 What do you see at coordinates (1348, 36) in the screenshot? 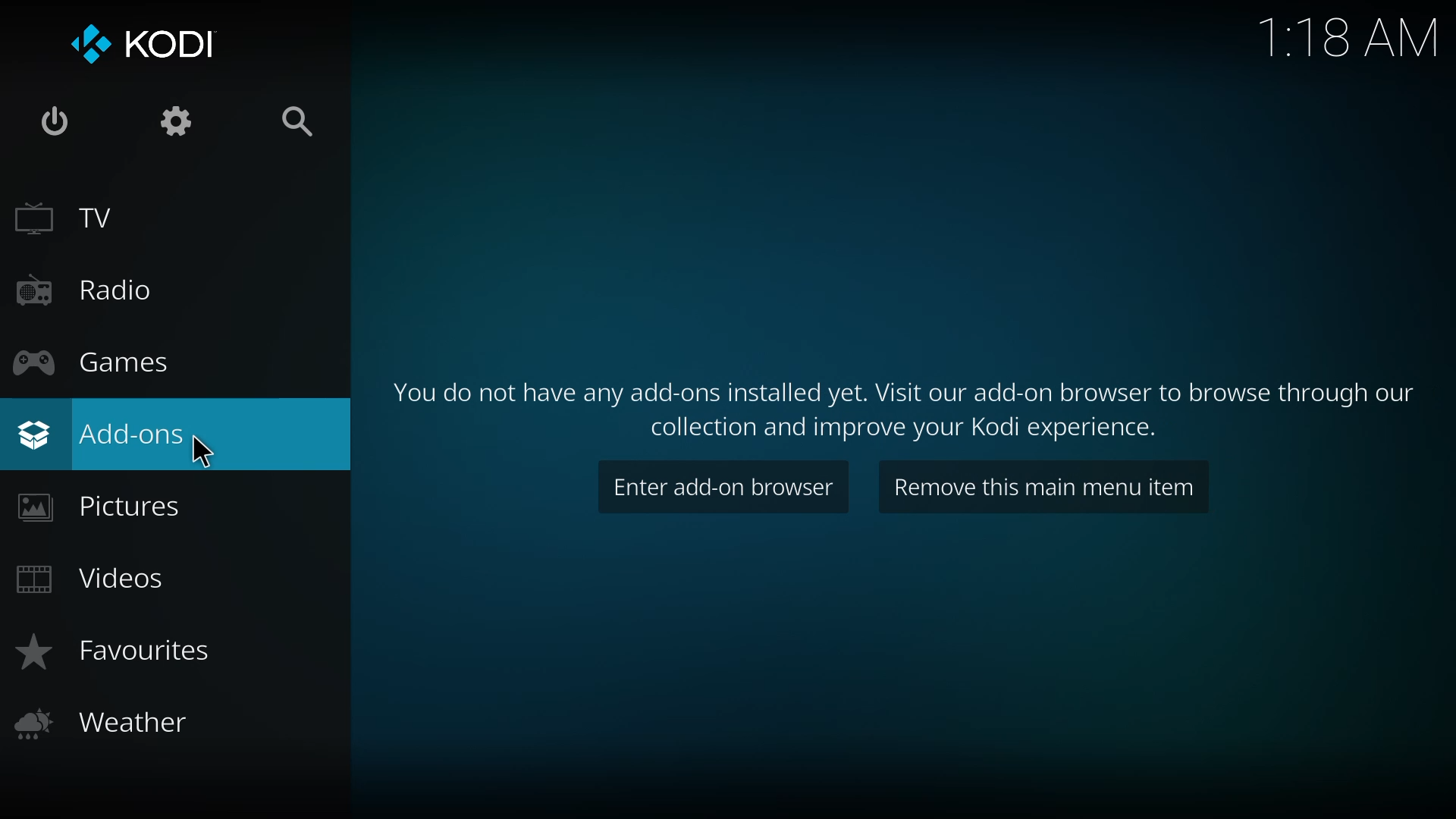
I see `time` at bounding box center [1348, 36].